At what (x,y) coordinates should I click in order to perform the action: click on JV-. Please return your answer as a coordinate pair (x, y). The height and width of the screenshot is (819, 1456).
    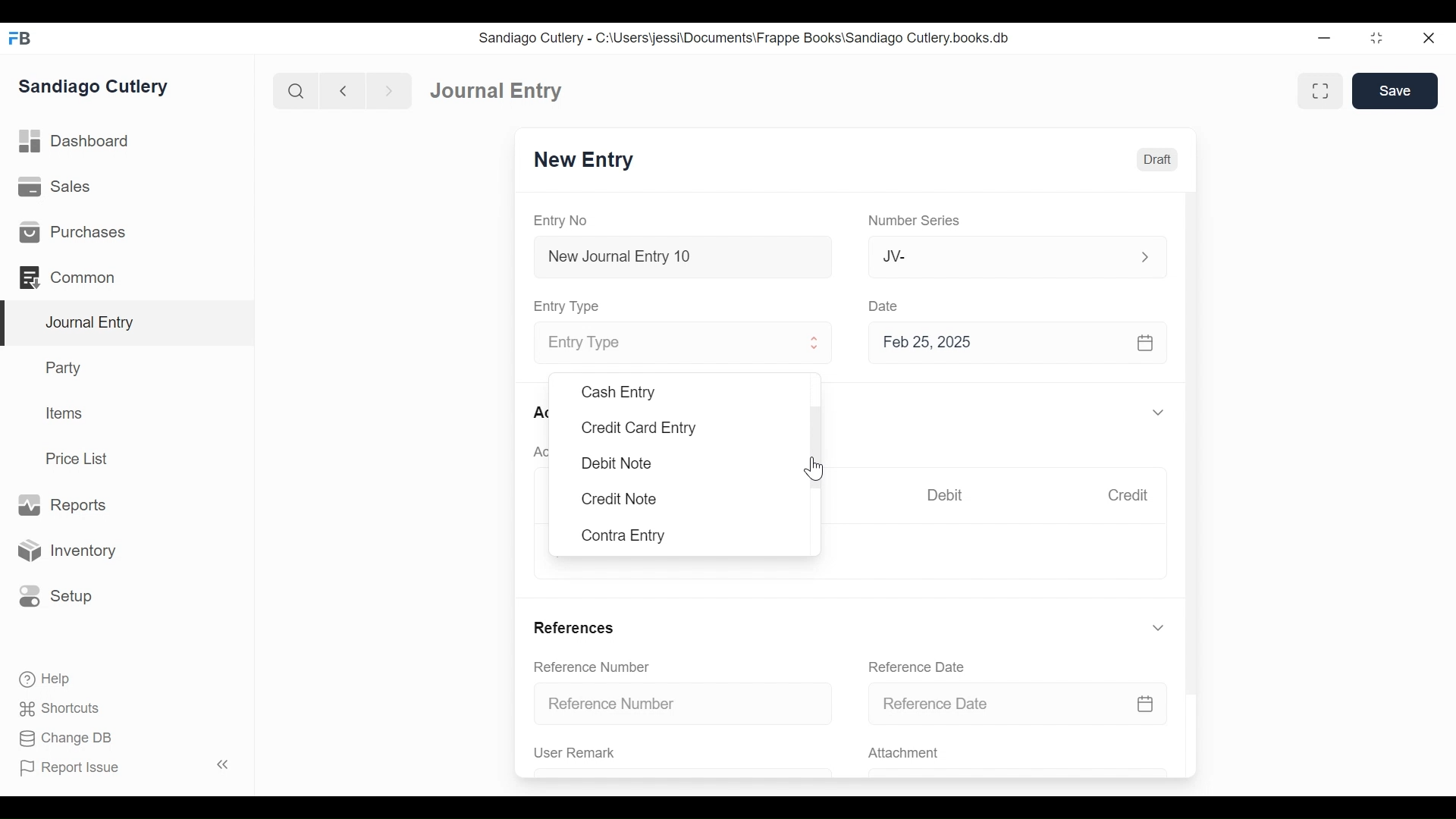
    Looking at the image, I should click on (998, 256).